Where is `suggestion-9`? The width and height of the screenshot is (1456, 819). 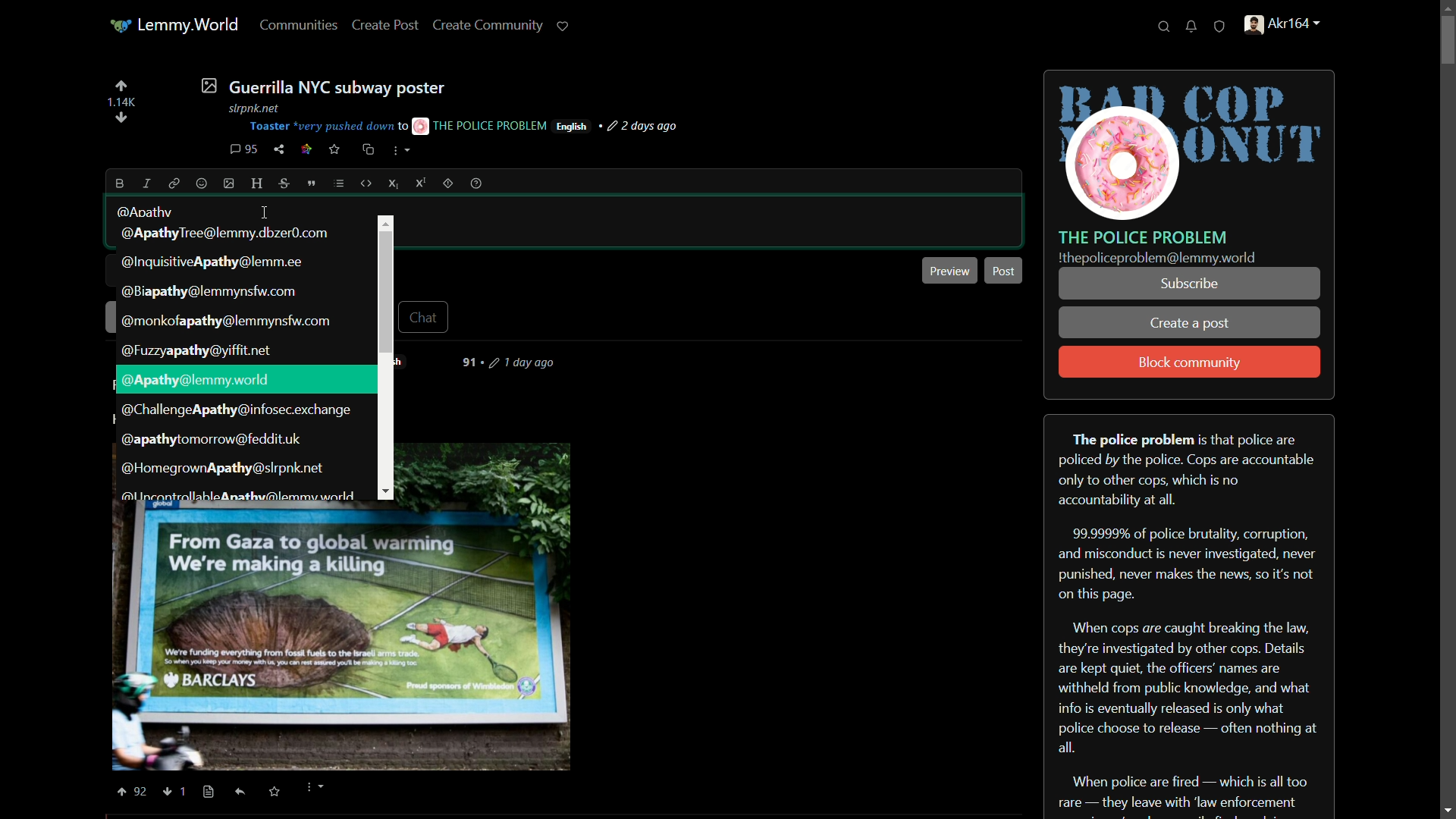 suggestion-9 is located at coordinates (221, 467).